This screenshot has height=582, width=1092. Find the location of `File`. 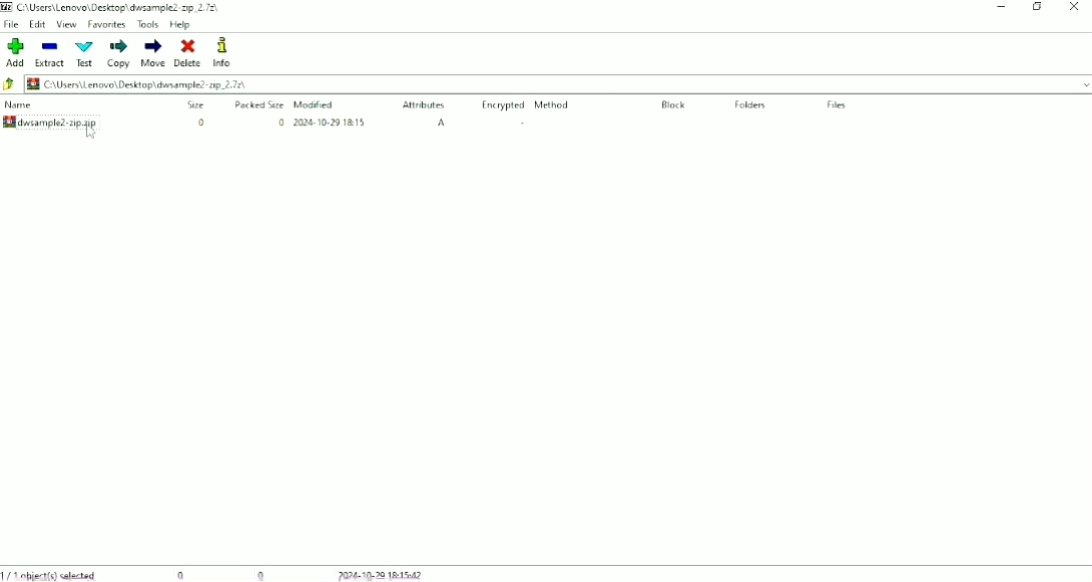

File is located at coordinates (12, 23).